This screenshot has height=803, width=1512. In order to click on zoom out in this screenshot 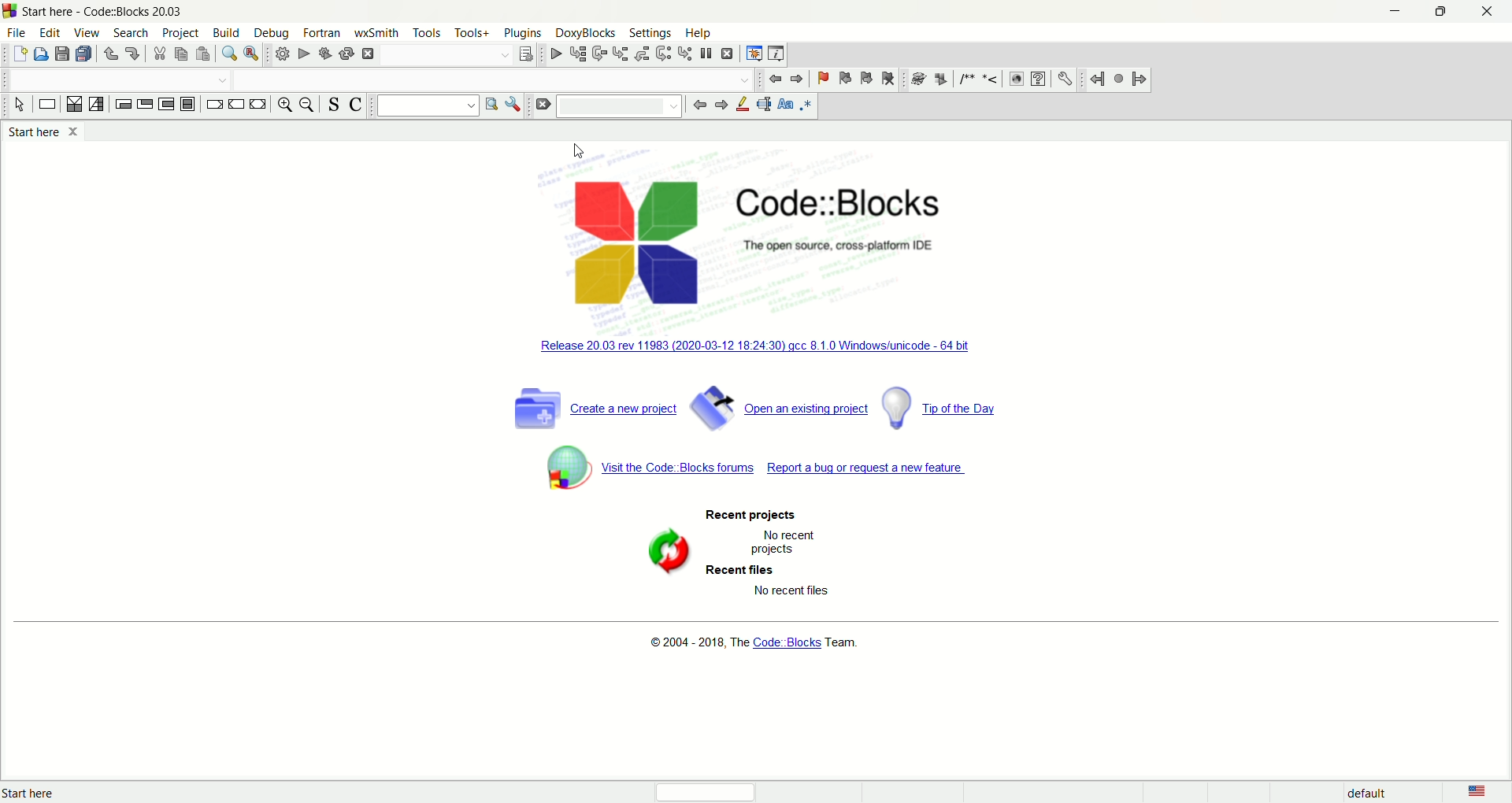, I will do `click(309, 105)`.